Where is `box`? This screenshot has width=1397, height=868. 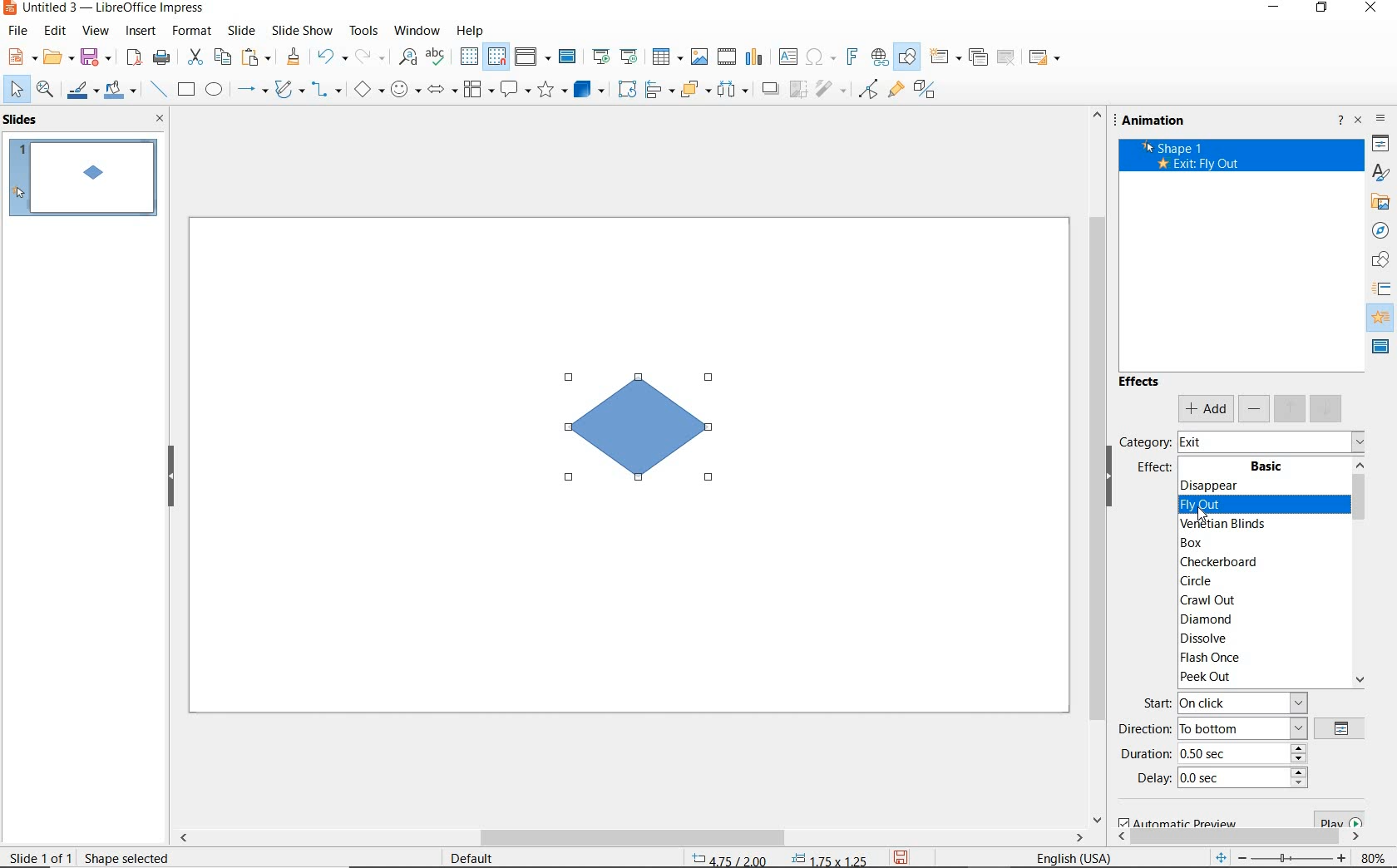
box is located at coordinates (1256, 545).